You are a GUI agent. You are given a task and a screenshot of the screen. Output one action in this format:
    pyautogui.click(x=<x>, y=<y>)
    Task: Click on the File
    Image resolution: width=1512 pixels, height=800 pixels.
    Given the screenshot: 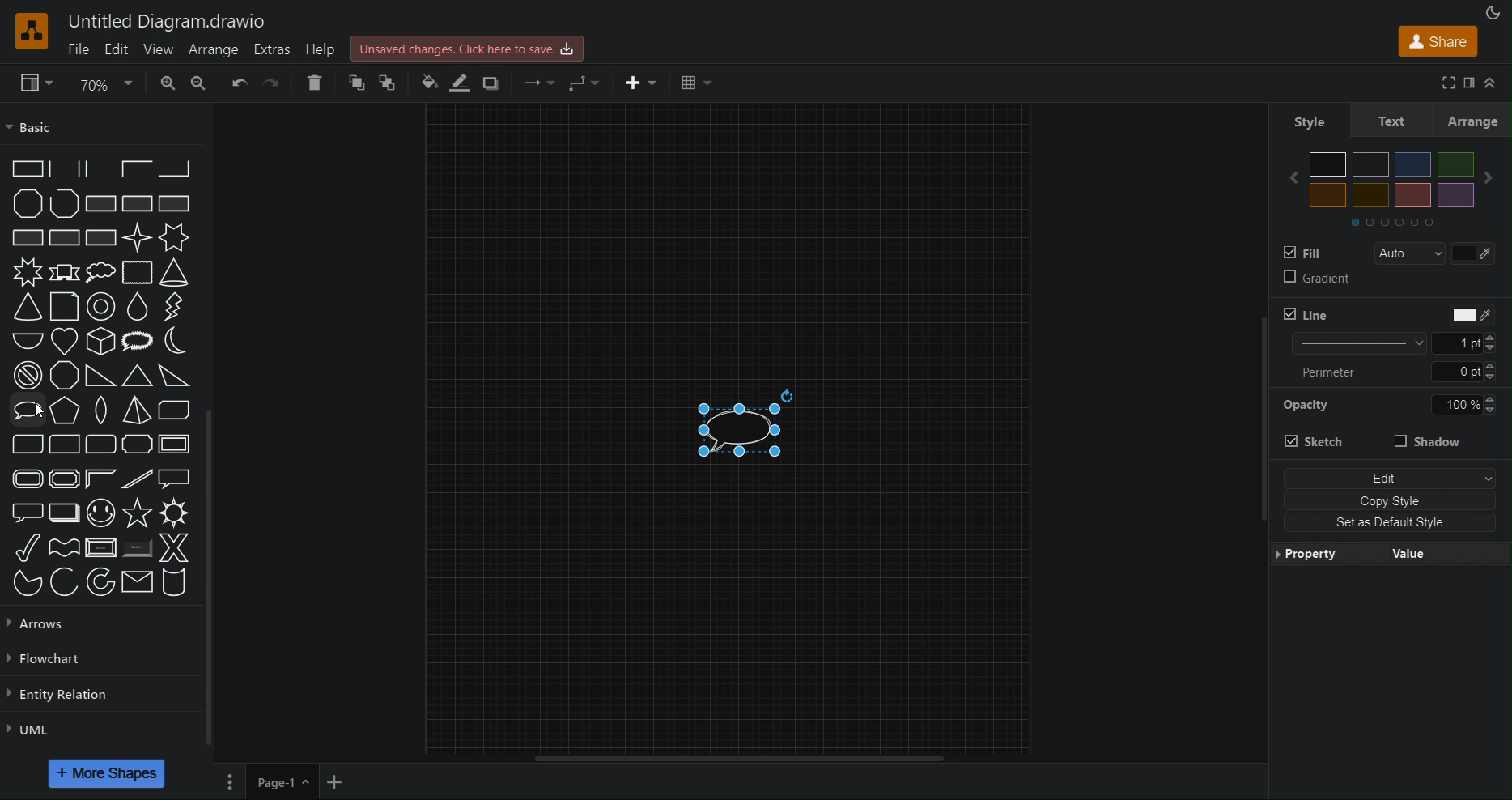 What is the action you would take?
    pyautogui.click(x=78, y=49)
    